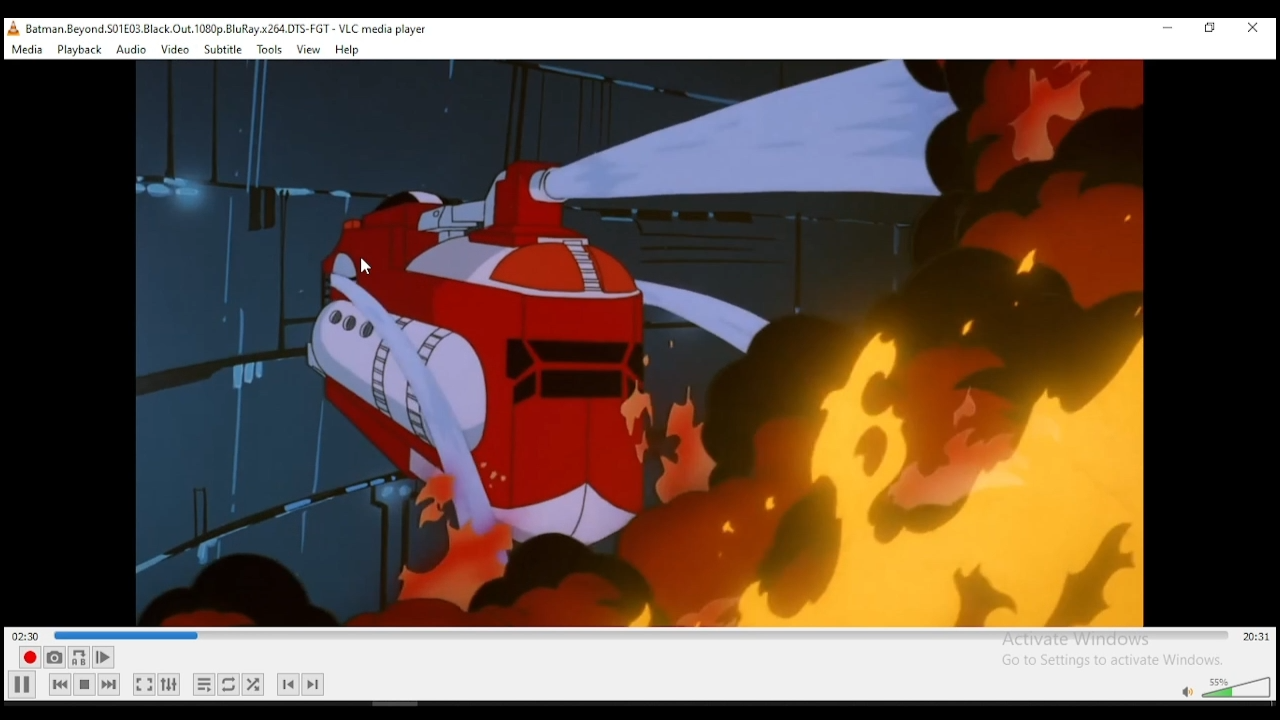 The height and width of the screenshot is (720, 1280). I want to click on subtitle, so click(224, 49).